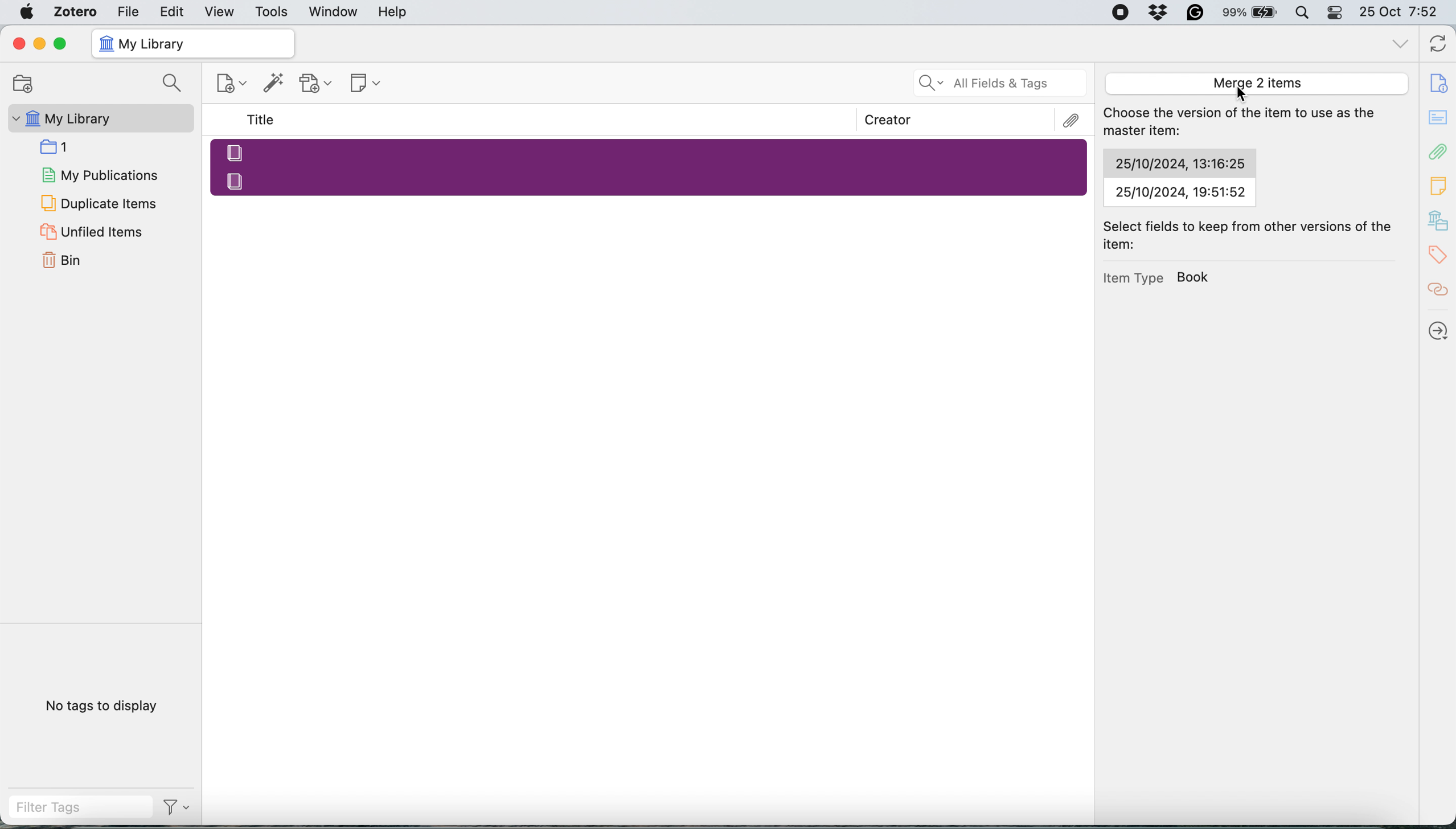 The width and height of the screenshot is (1456, 829). Describe the element at coordinates (1072, 121) in the screenshot. I see `Attachments` at that location.